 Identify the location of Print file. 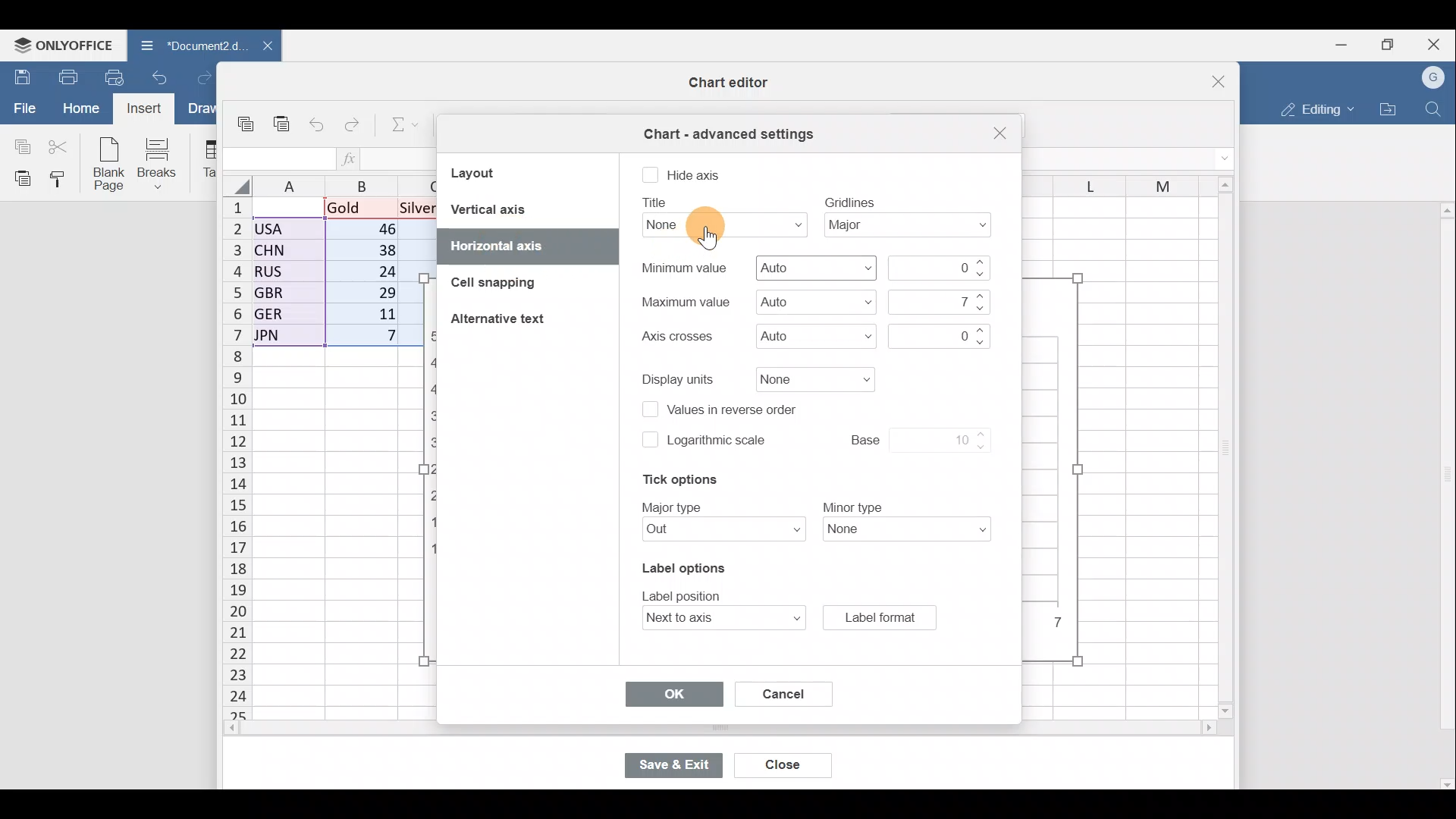
(64, 76).